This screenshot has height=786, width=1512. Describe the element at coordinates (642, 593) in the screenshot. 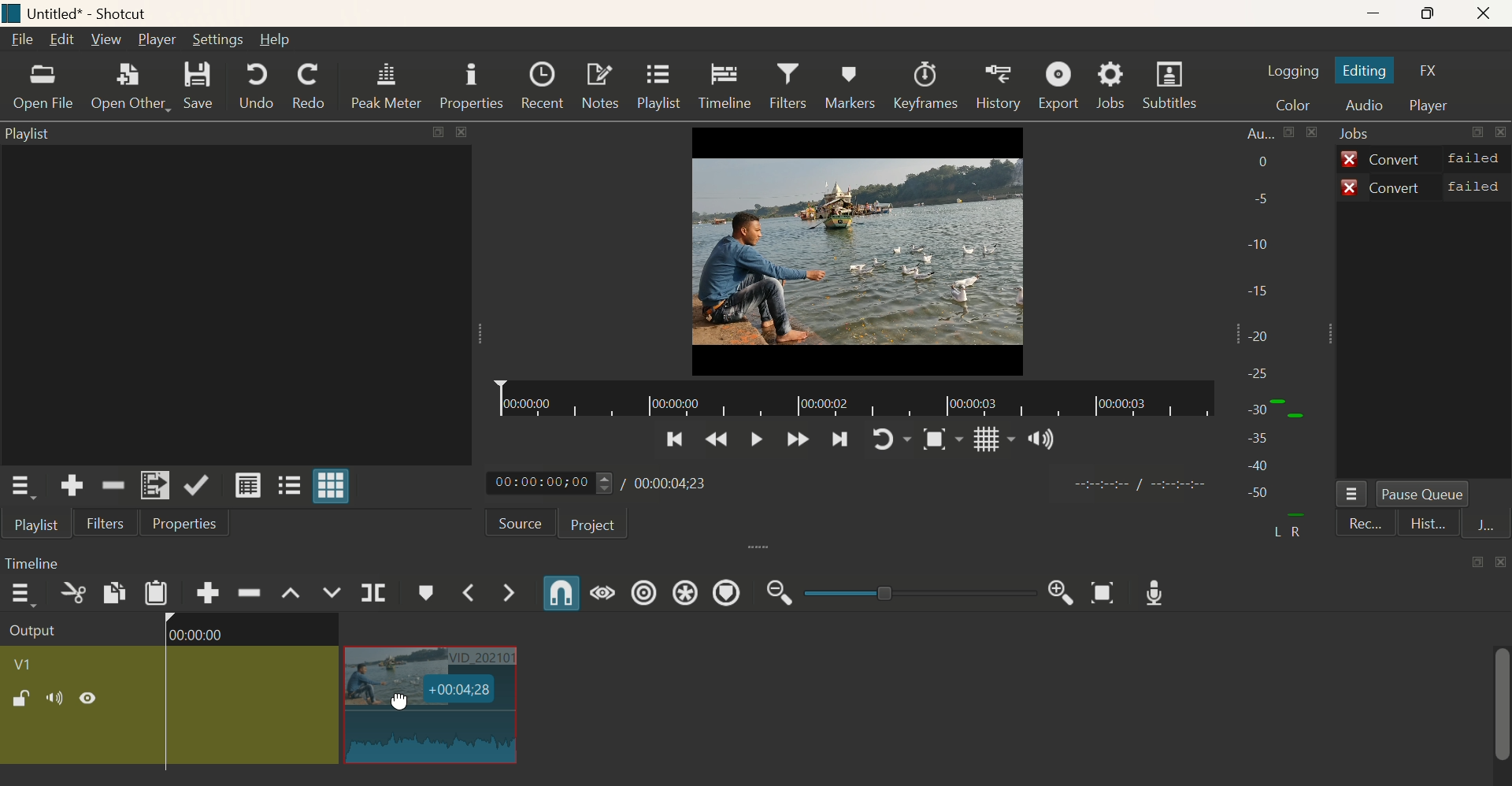

I see `` at that location.